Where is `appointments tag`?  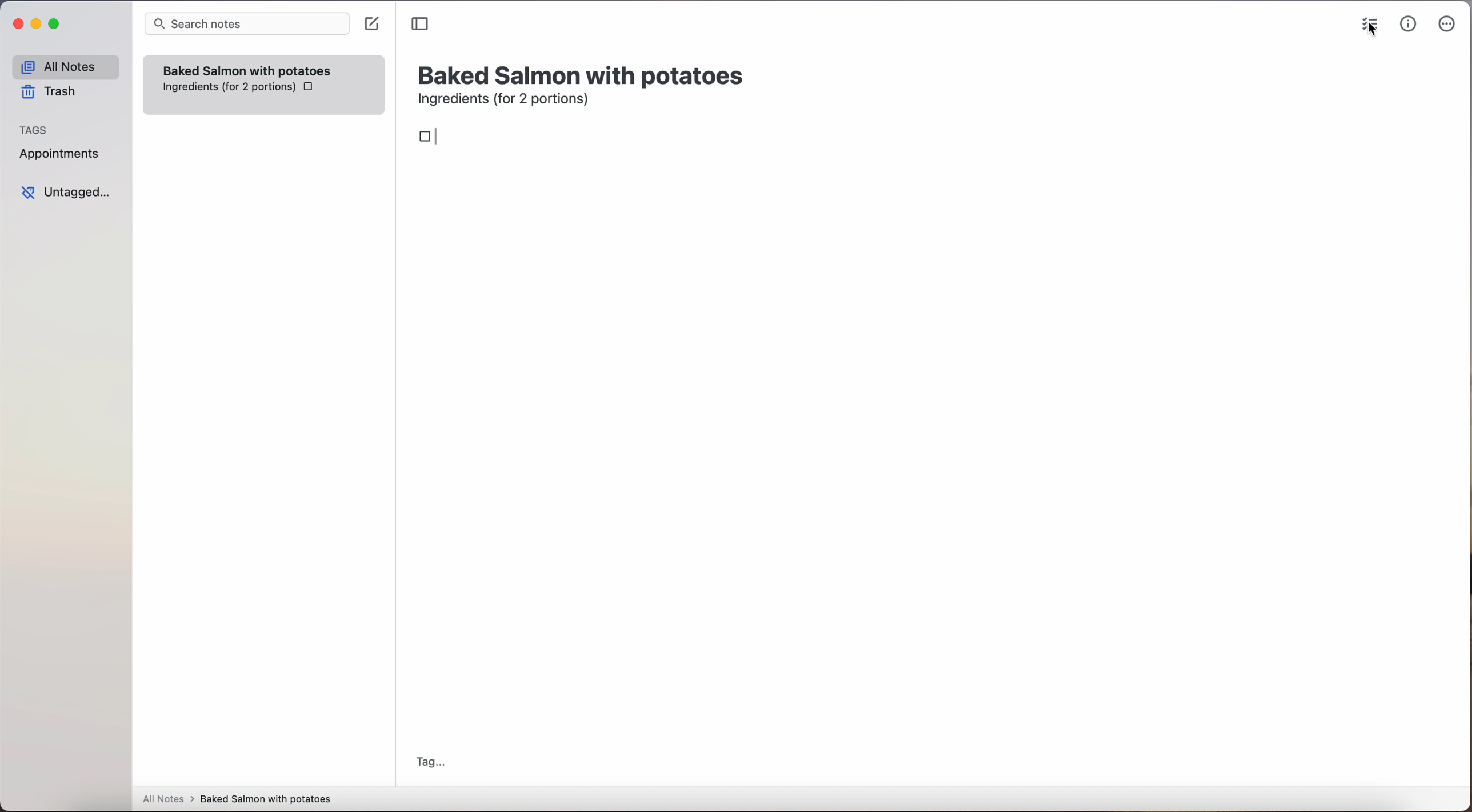 appointments tag is located at coordinates (61, 151).